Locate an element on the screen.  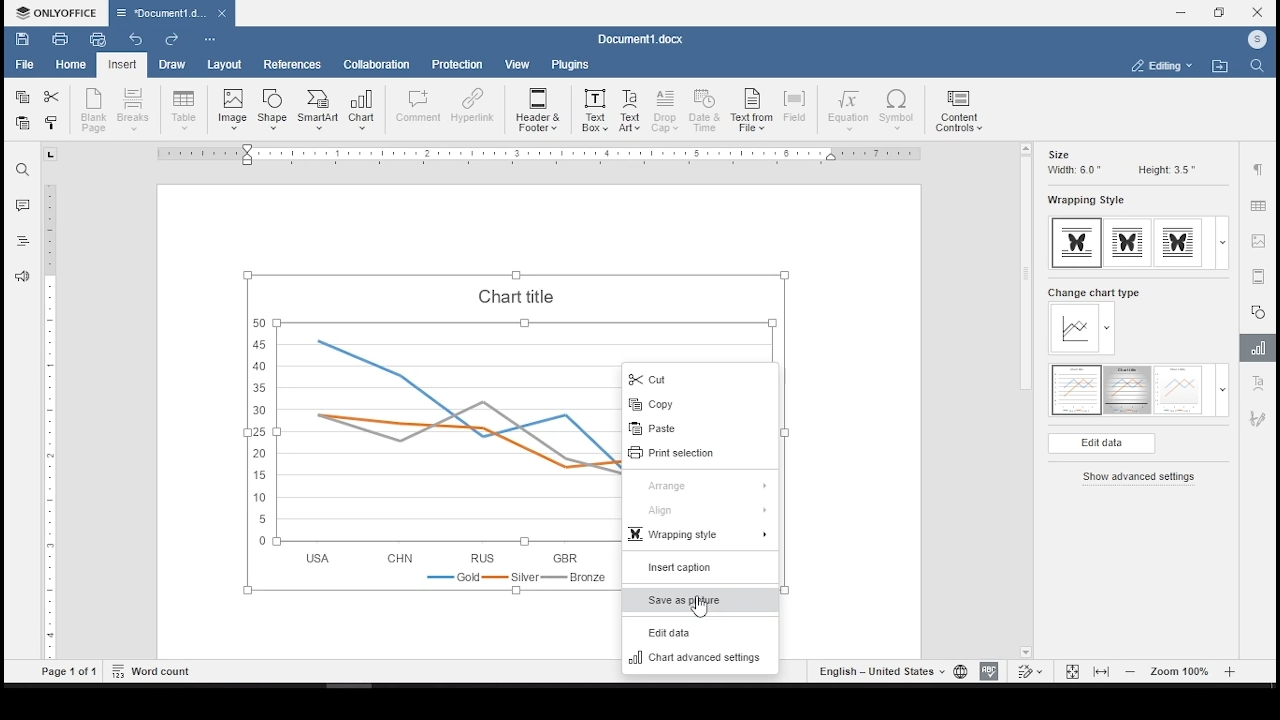
insert smartart is located at coordinates (318, 111).